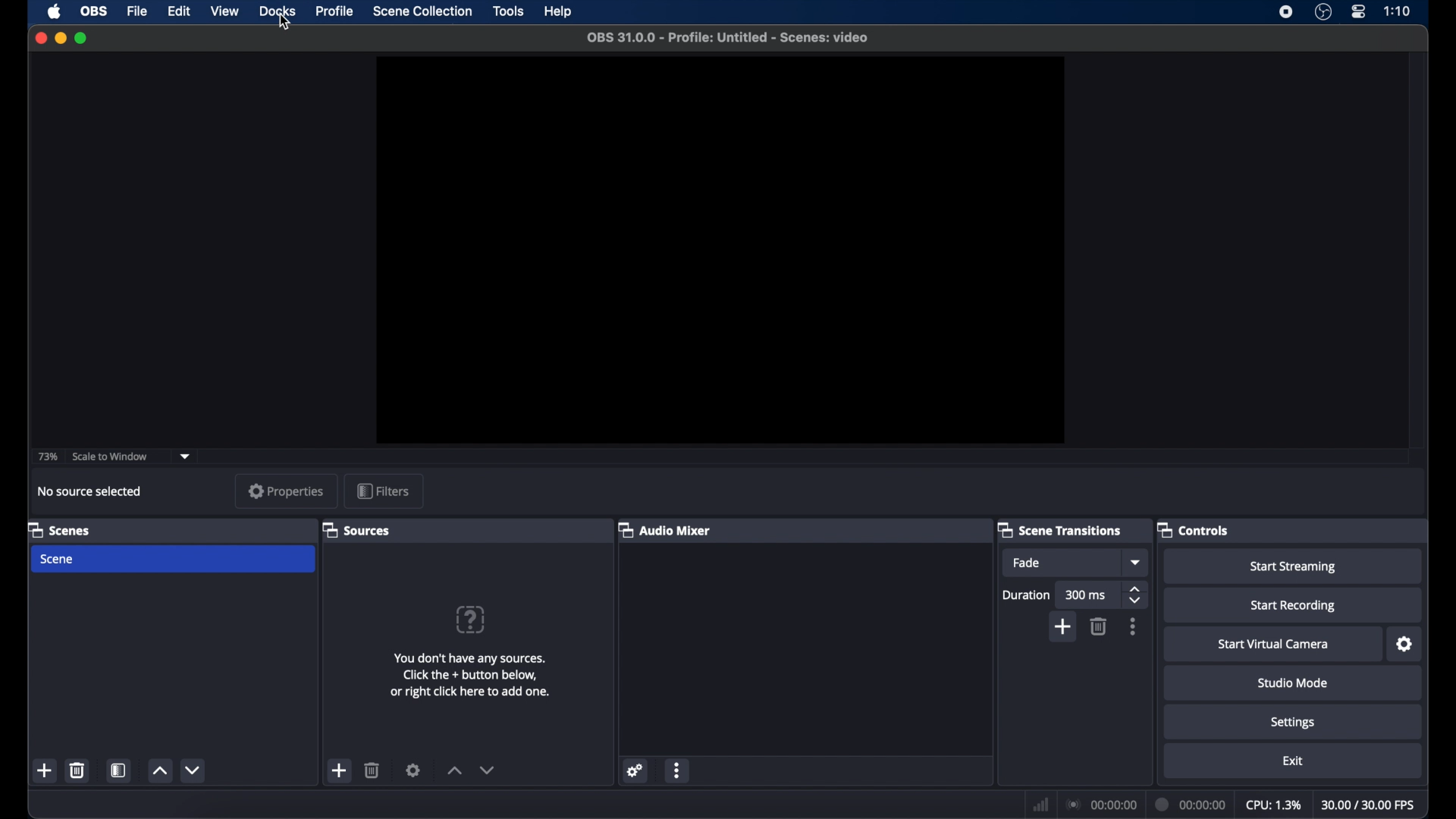 The image size is (1456, 819). What do you see at coordinates (118, 770) in the screenshot?
I see `scene filters` at bounding box center [118, 770].